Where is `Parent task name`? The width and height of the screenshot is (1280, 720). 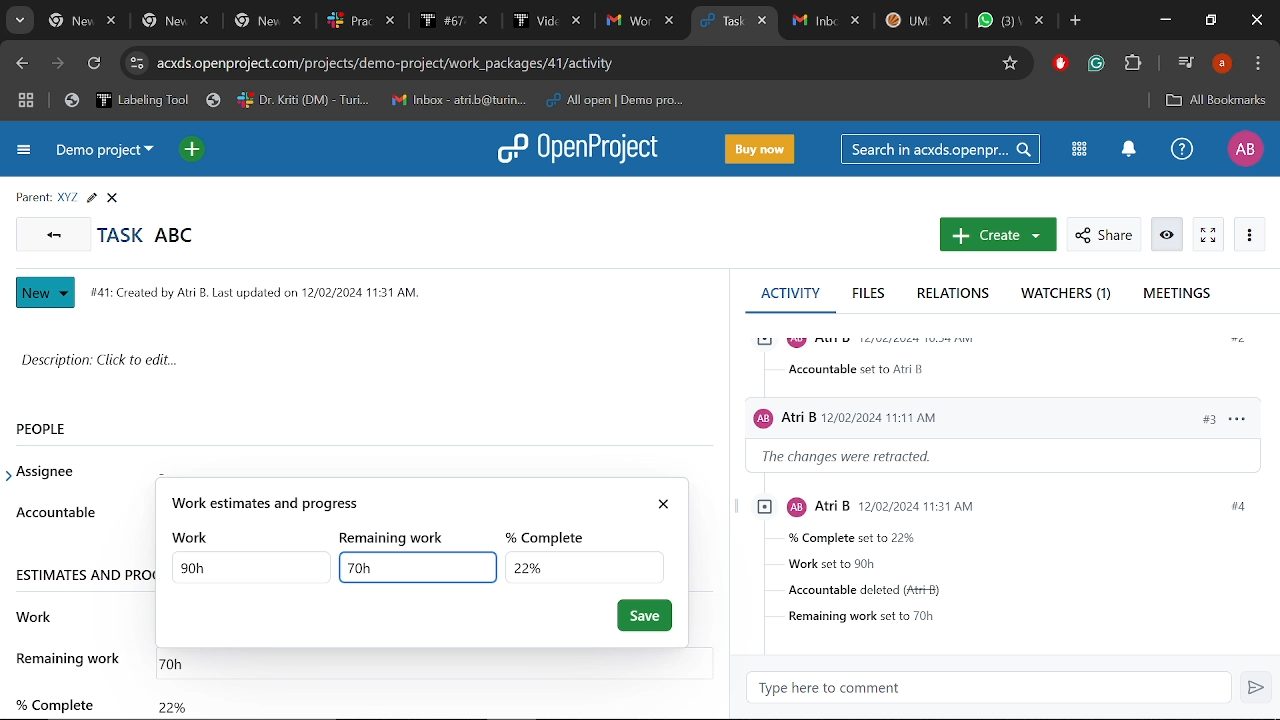
Parent task name is located at coordinates (66, 198).